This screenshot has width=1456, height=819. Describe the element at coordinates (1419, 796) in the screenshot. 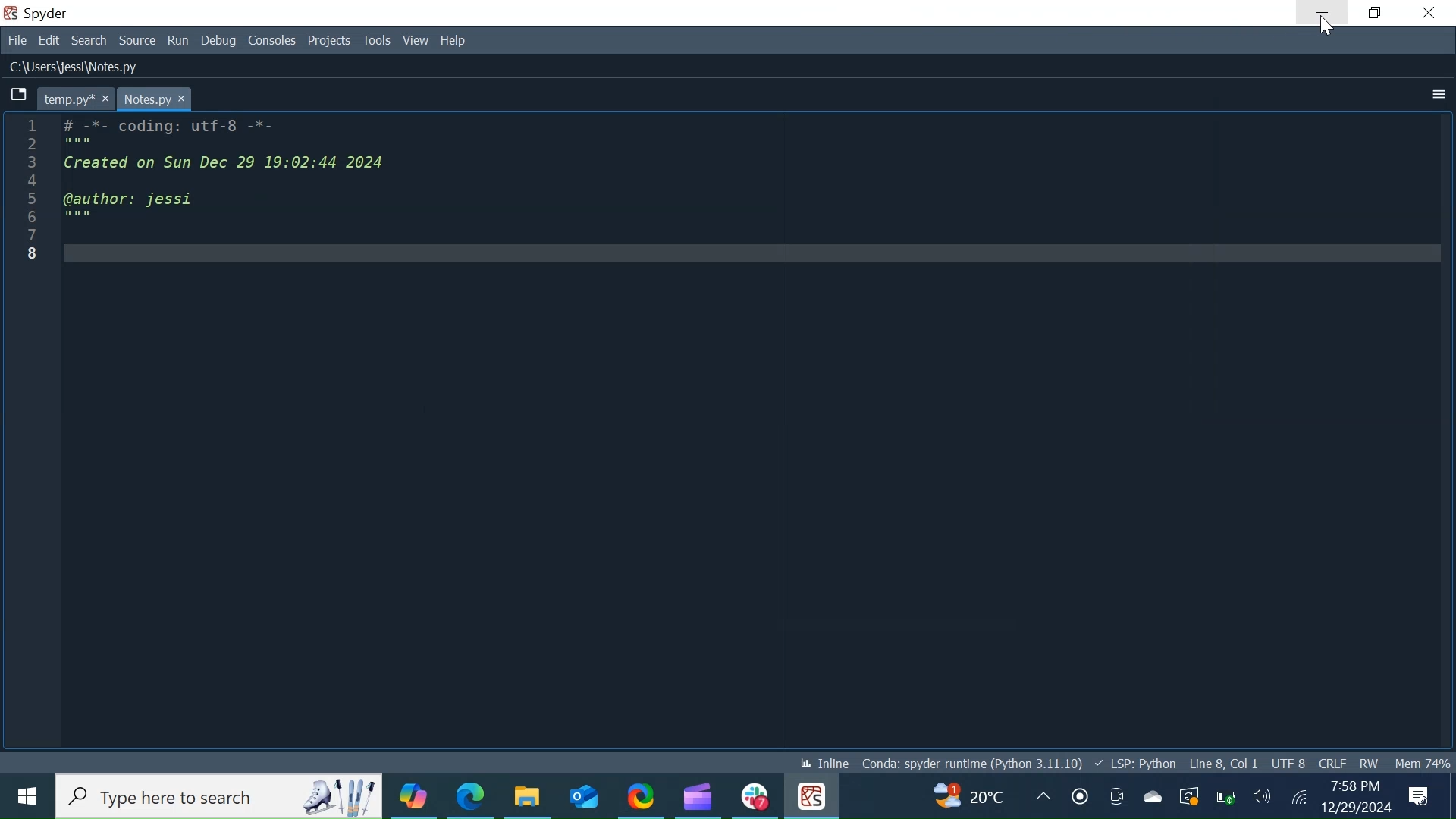

I see `Notification` at that location.